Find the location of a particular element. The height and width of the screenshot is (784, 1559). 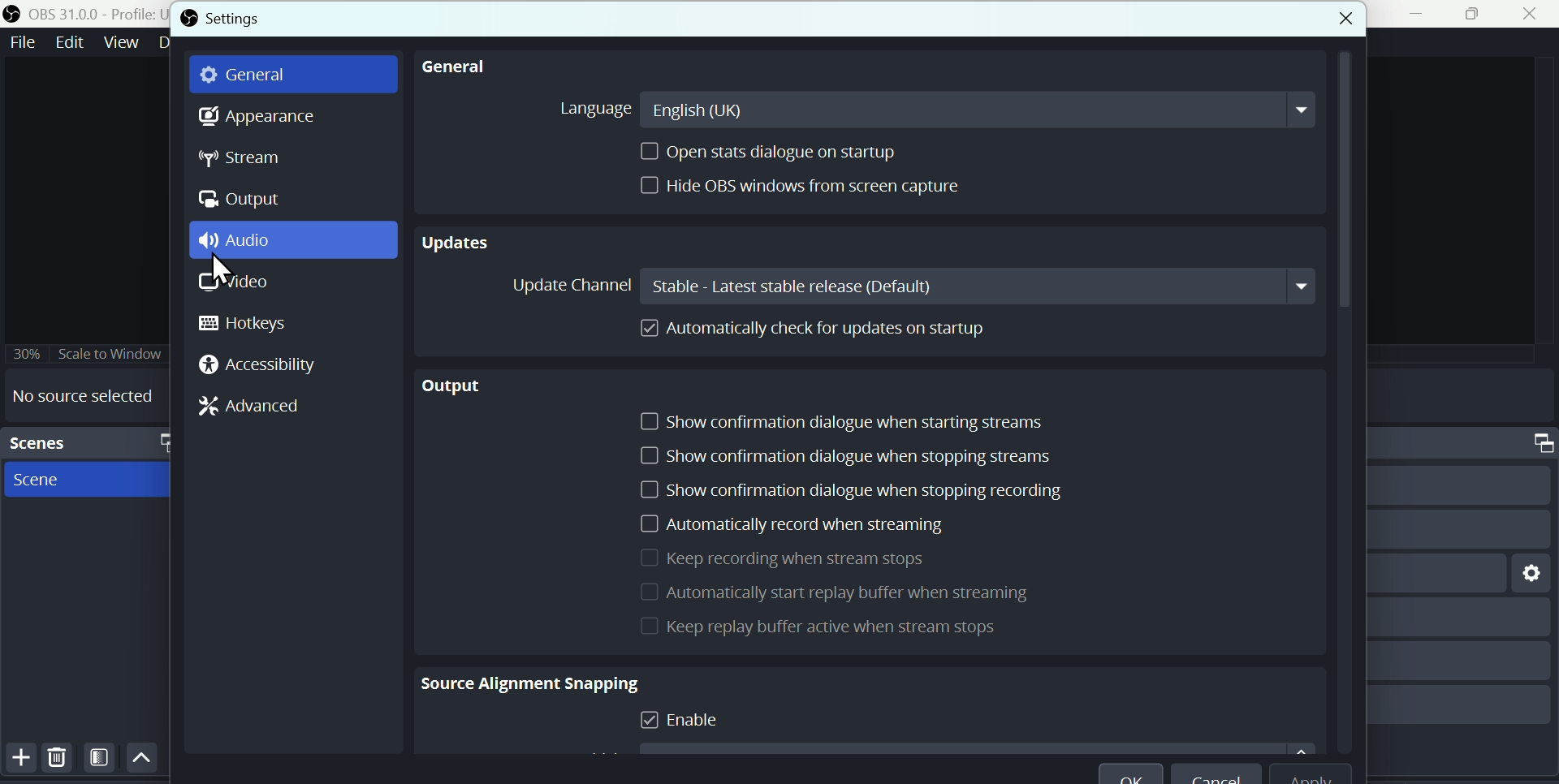

Show confirmation dialogue when stopping Stream is located at coordinates (849, 456).